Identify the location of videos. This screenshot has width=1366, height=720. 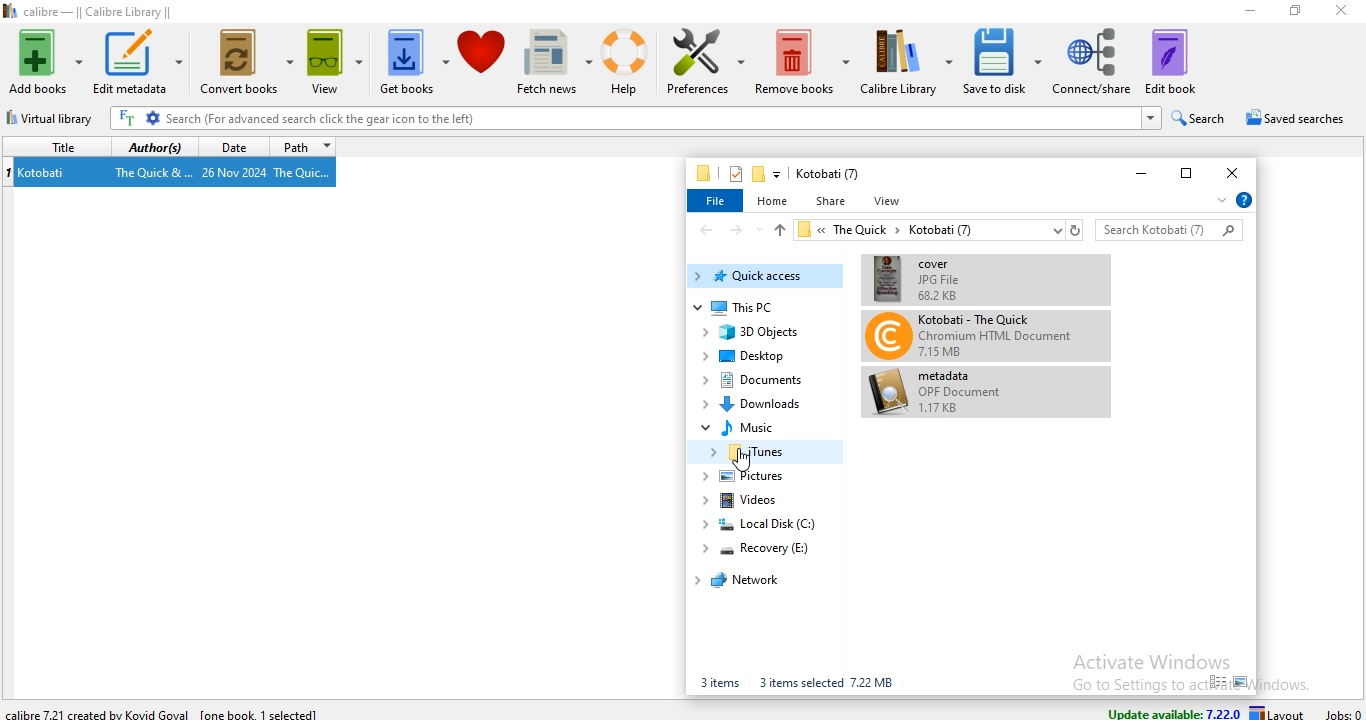
(751, 500).